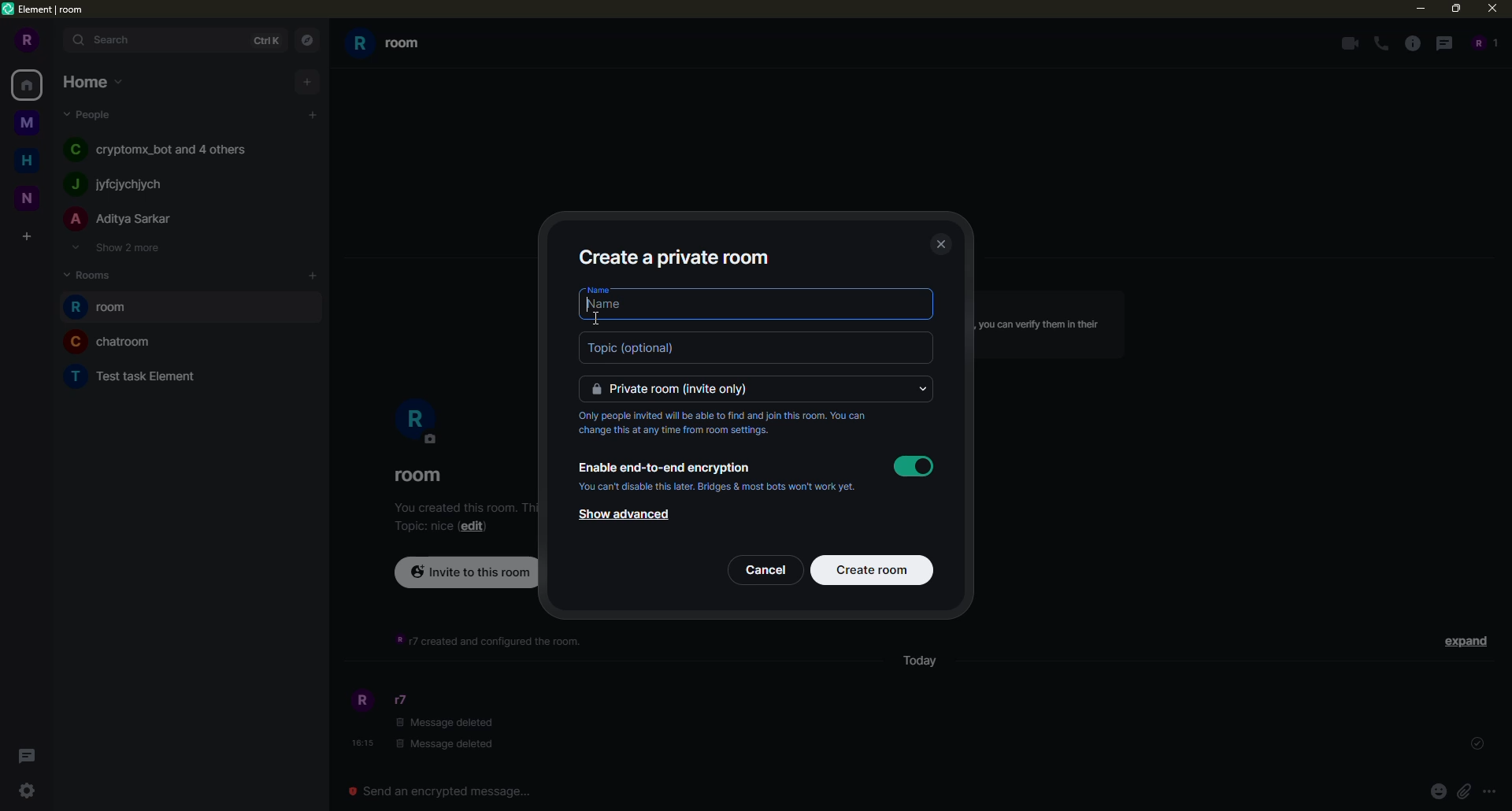  Describe the element at coordinates (1411, 43) in the screenshot. I see `info` at that location.